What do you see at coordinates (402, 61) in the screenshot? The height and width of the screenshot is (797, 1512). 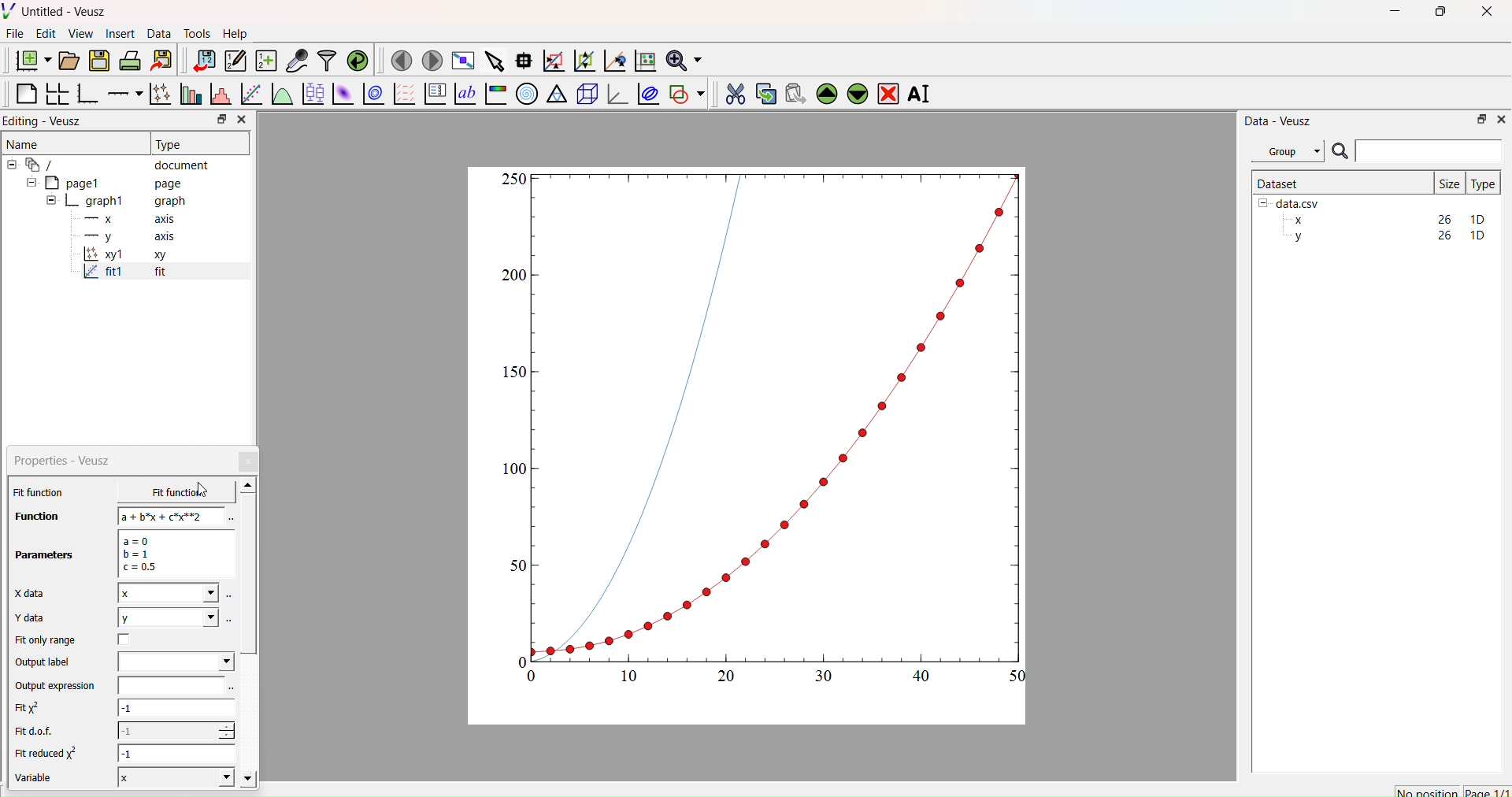 I see `Previous page` at bounding box center [402, 61].